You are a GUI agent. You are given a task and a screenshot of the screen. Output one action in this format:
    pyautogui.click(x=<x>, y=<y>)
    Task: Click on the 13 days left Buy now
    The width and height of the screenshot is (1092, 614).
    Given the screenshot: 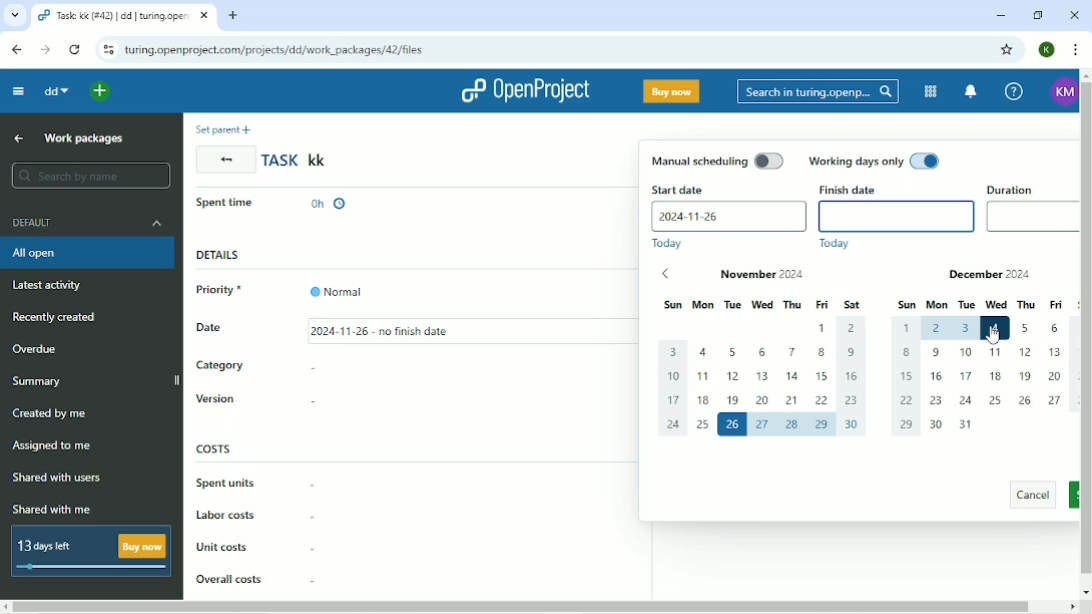 What is the action you would take?
    pyautogui.click(x=89, y=553)
    